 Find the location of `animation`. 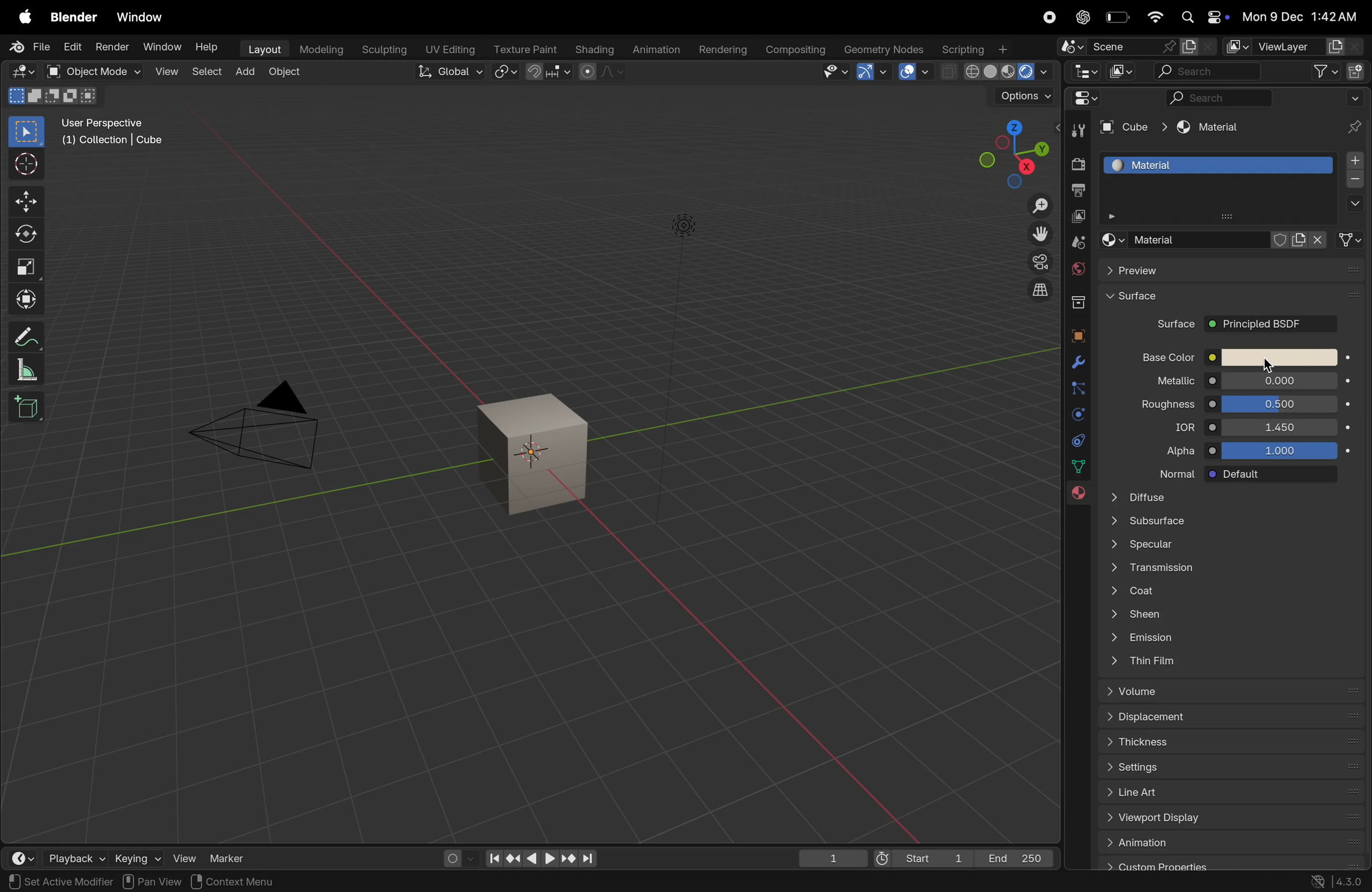

animation is located at coordinates (655, 51).